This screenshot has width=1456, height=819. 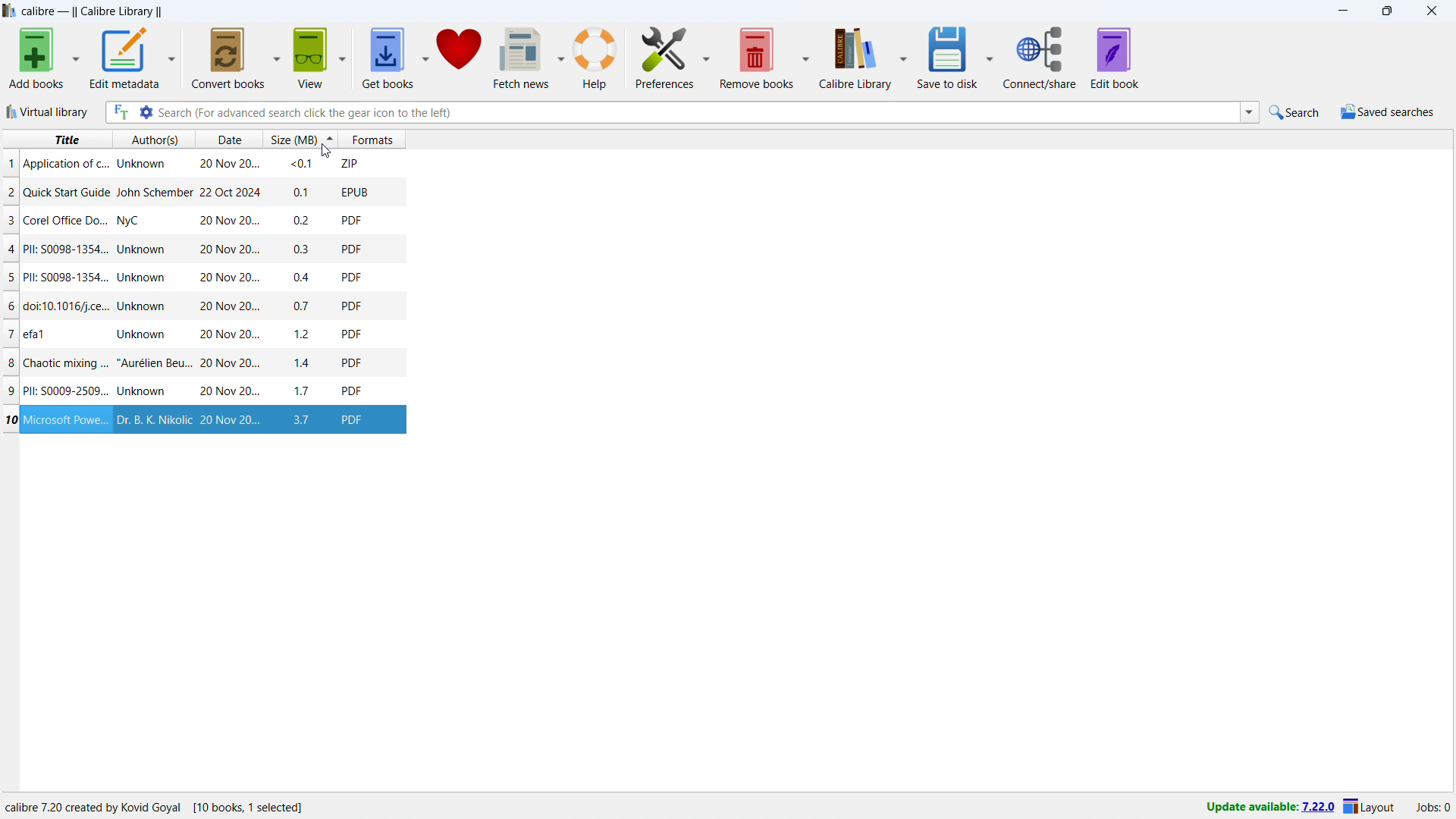 I want to click on connect/share, so click(x=1040, y=58).